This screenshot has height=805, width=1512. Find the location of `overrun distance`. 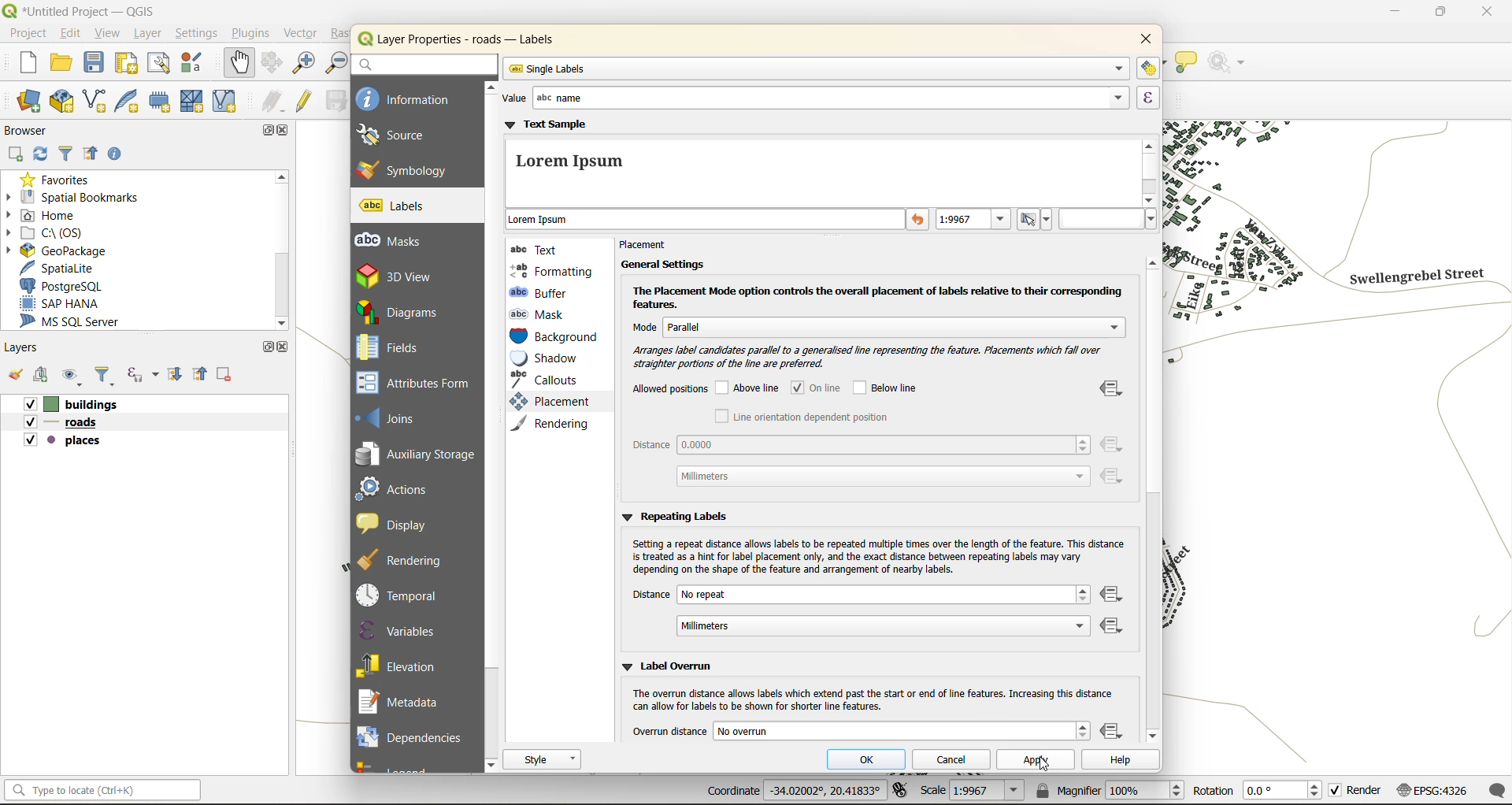

overrun distance is located at coordinates (860, 730).